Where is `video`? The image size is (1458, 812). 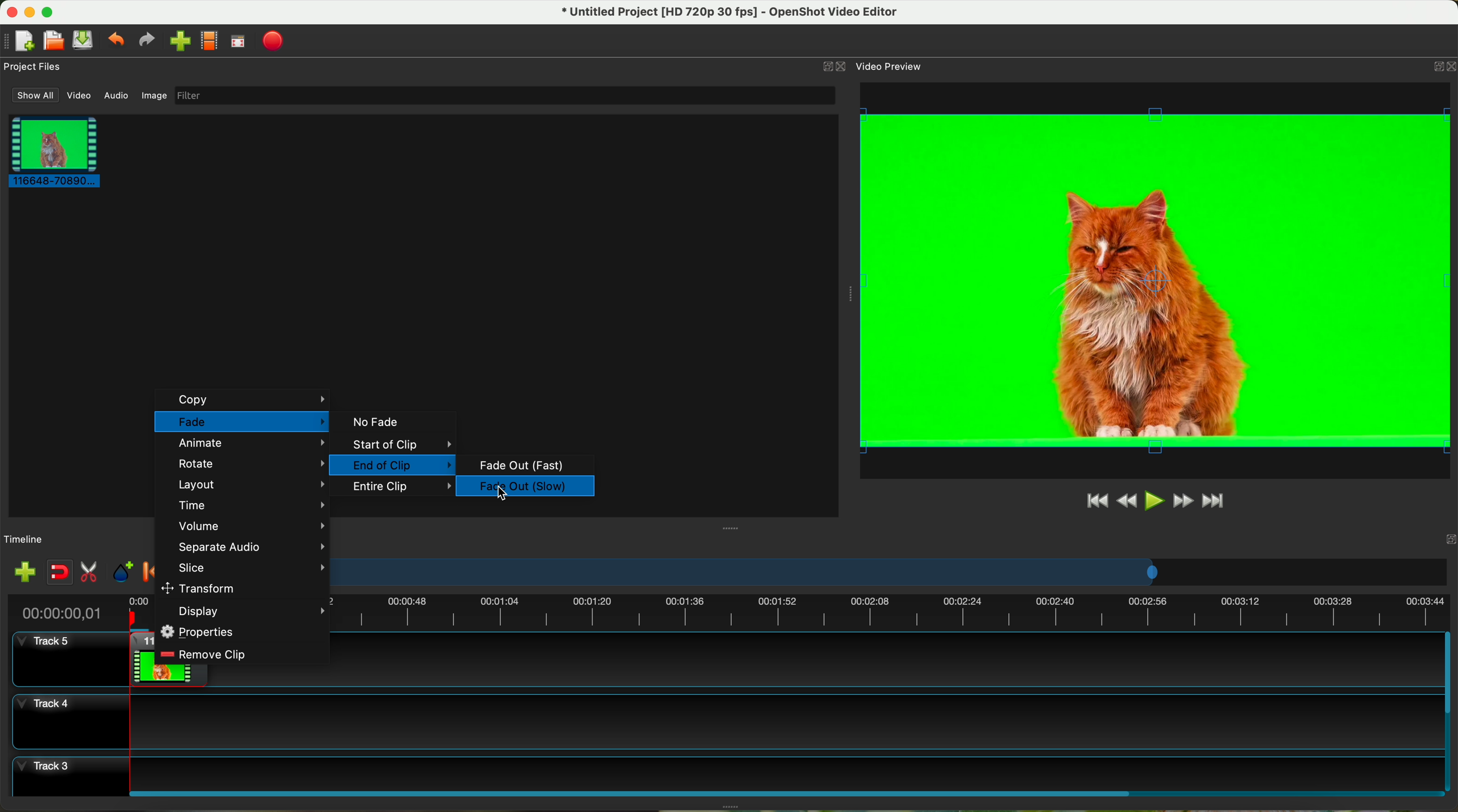 video is located at coordinates (80, 96).